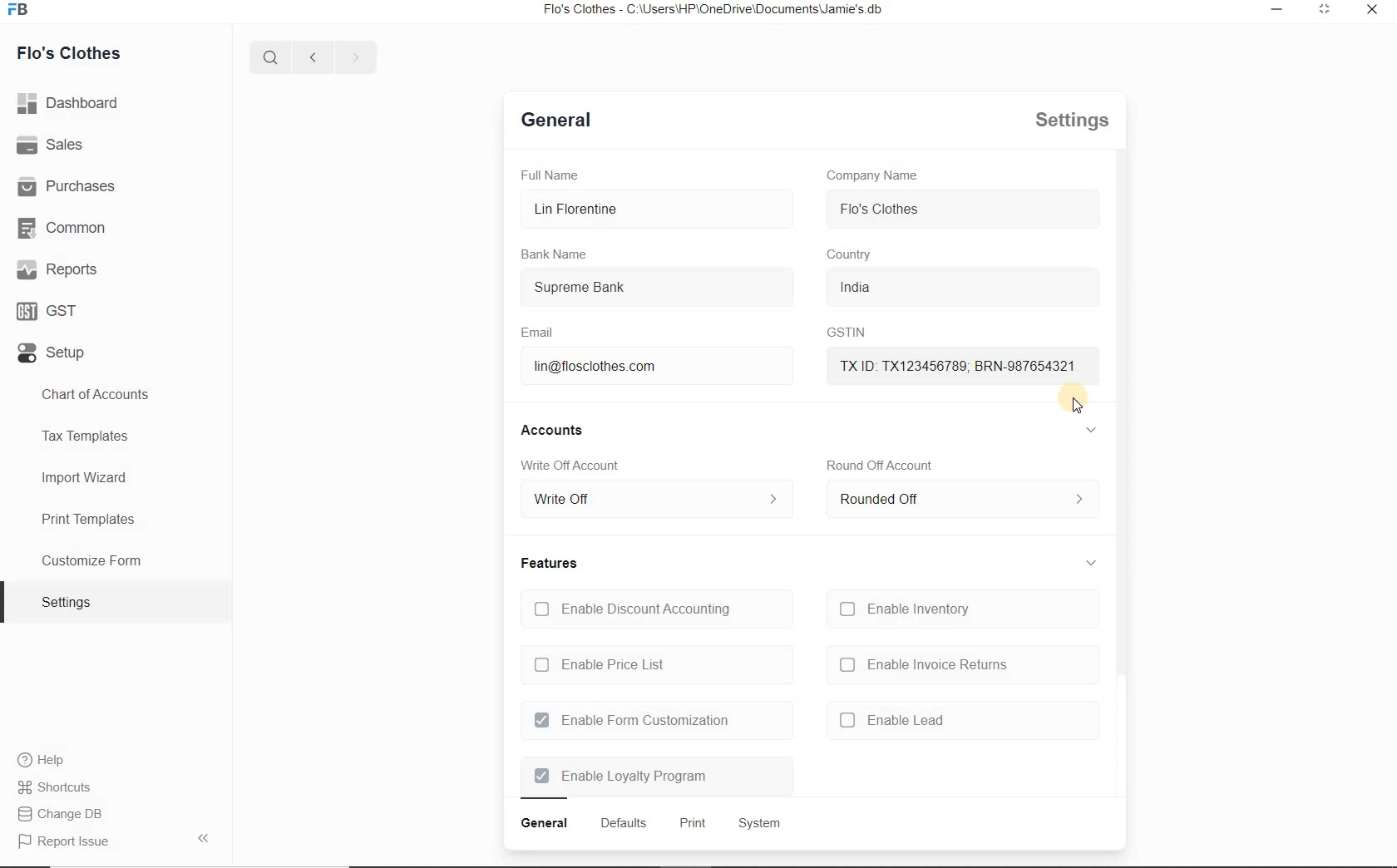  I want to click on minimize, so click(1325, 12).